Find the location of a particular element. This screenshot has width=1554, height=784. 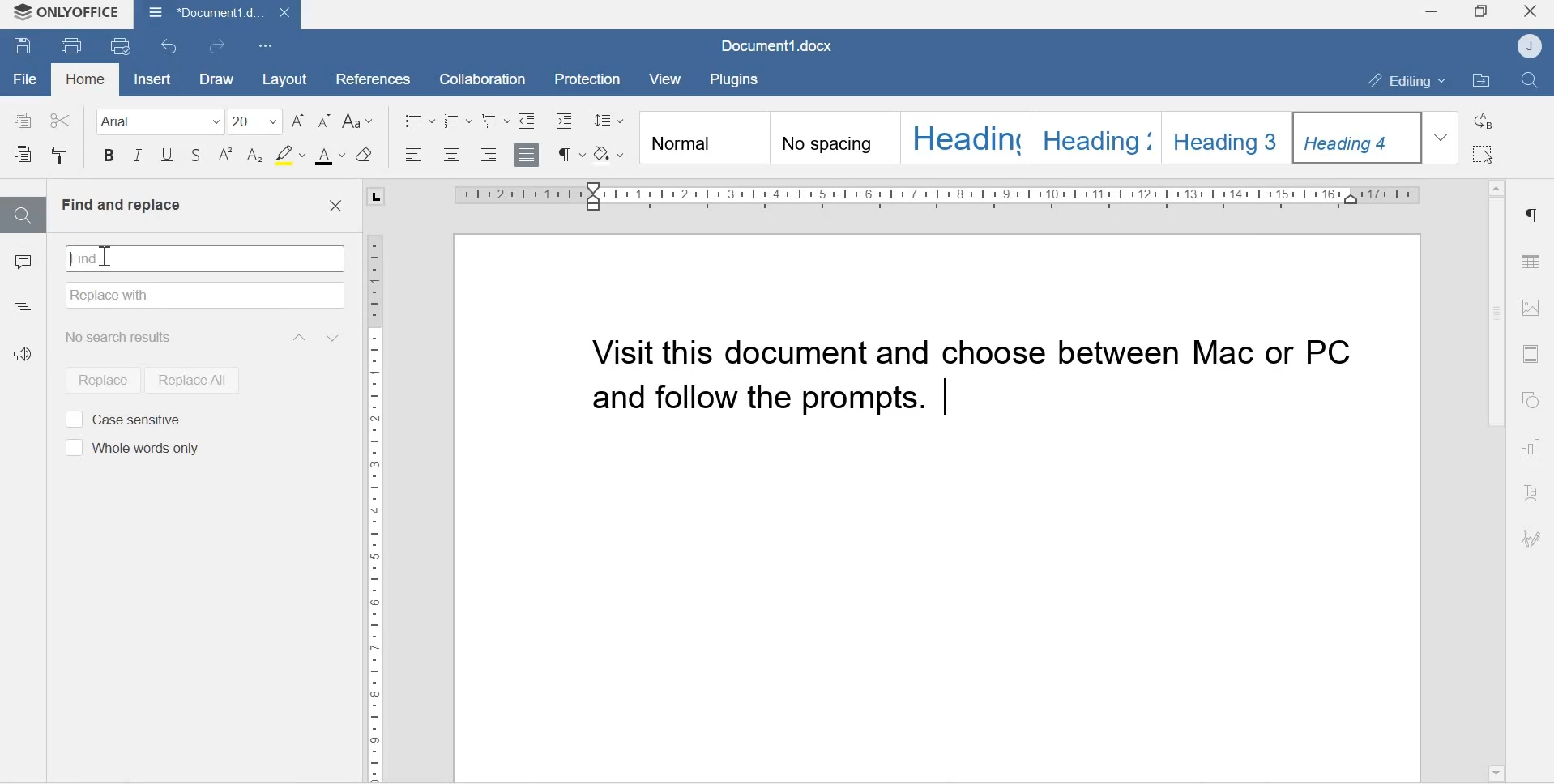

No search results is located at coordinates (123, 337).